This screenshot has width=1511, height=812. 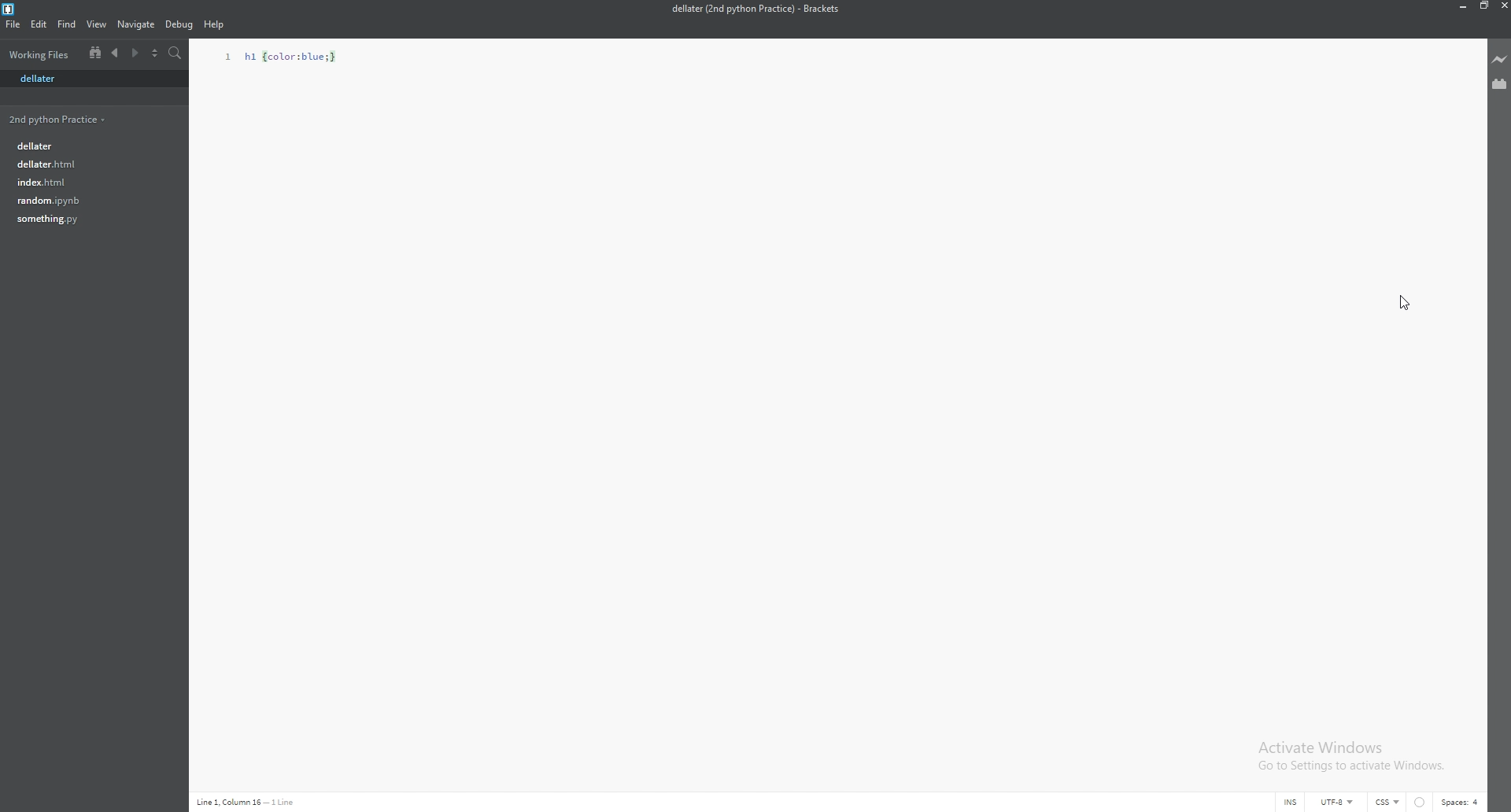 I want to click on spaces:4, so click(x=1463, y=802).